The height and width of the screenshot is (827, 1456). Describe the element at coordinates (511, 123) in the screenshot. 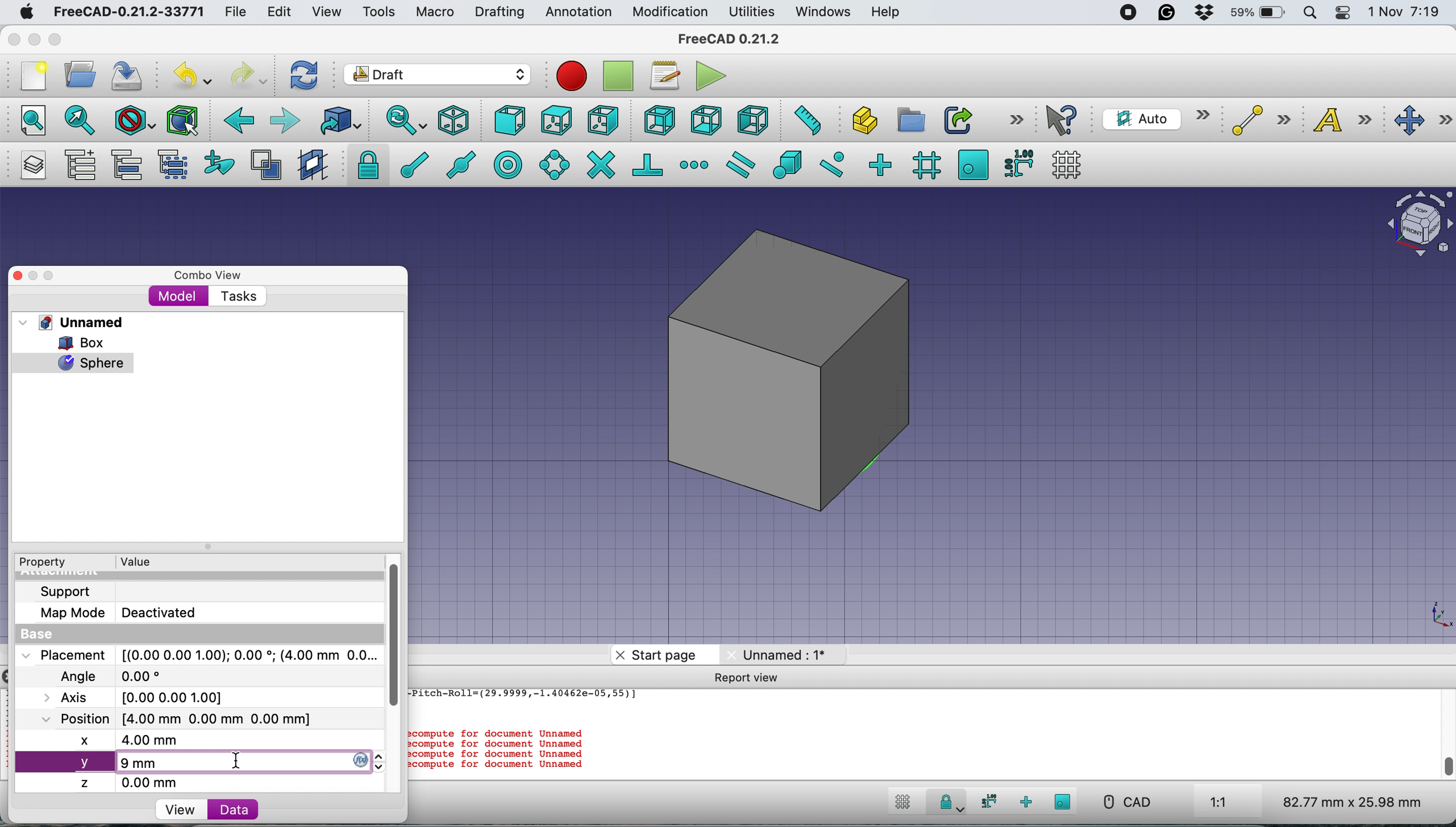

I see `front` at that location.